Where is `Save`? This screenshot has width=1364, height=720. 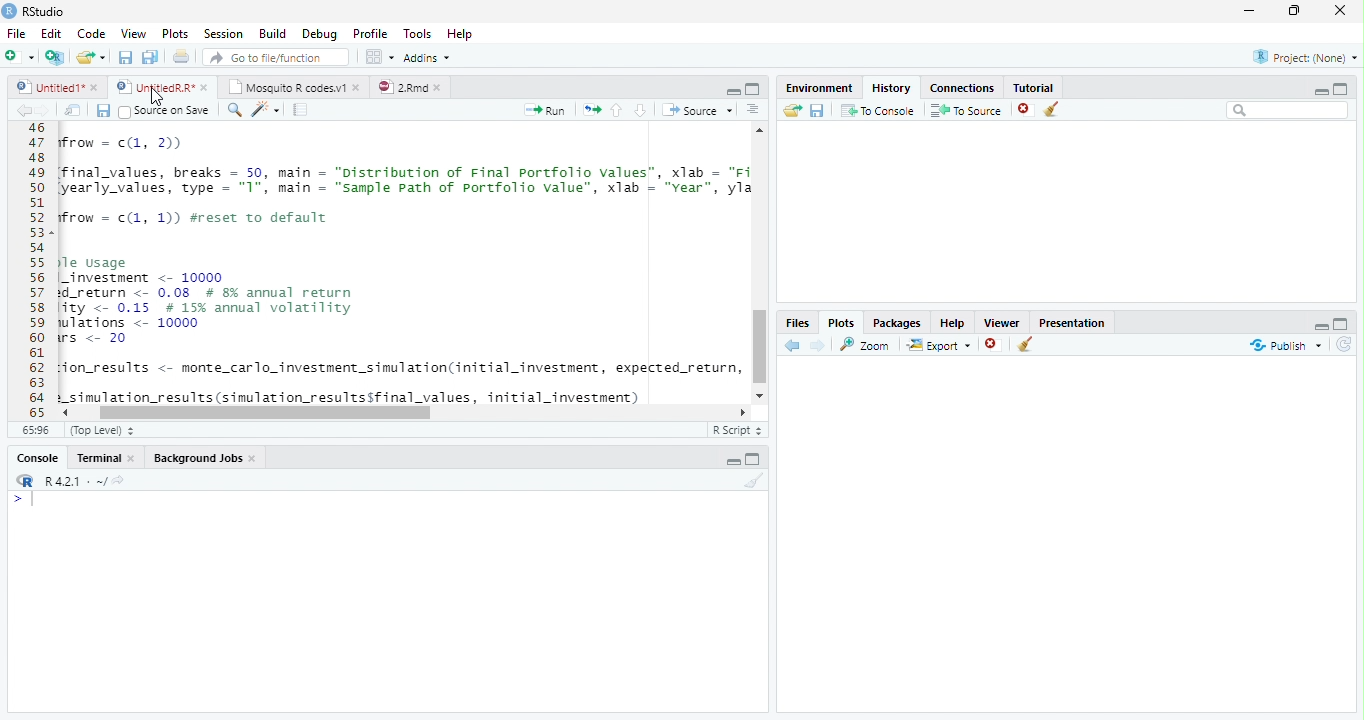 Save is located at coordinates (103, 110).